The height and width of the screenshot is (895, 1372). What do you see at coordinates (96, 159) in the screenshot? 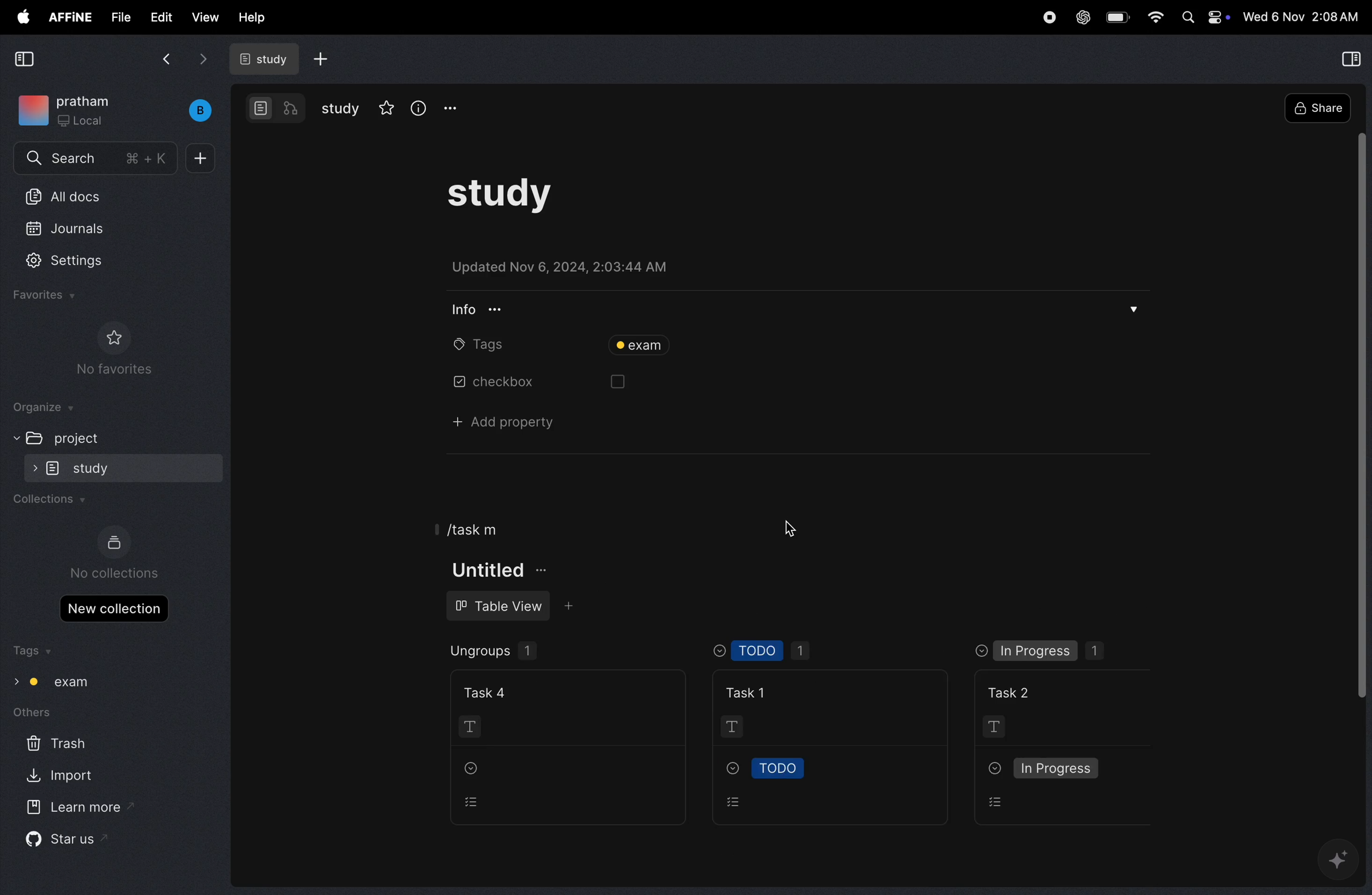
I see `search` at bounding box center [96, 159].